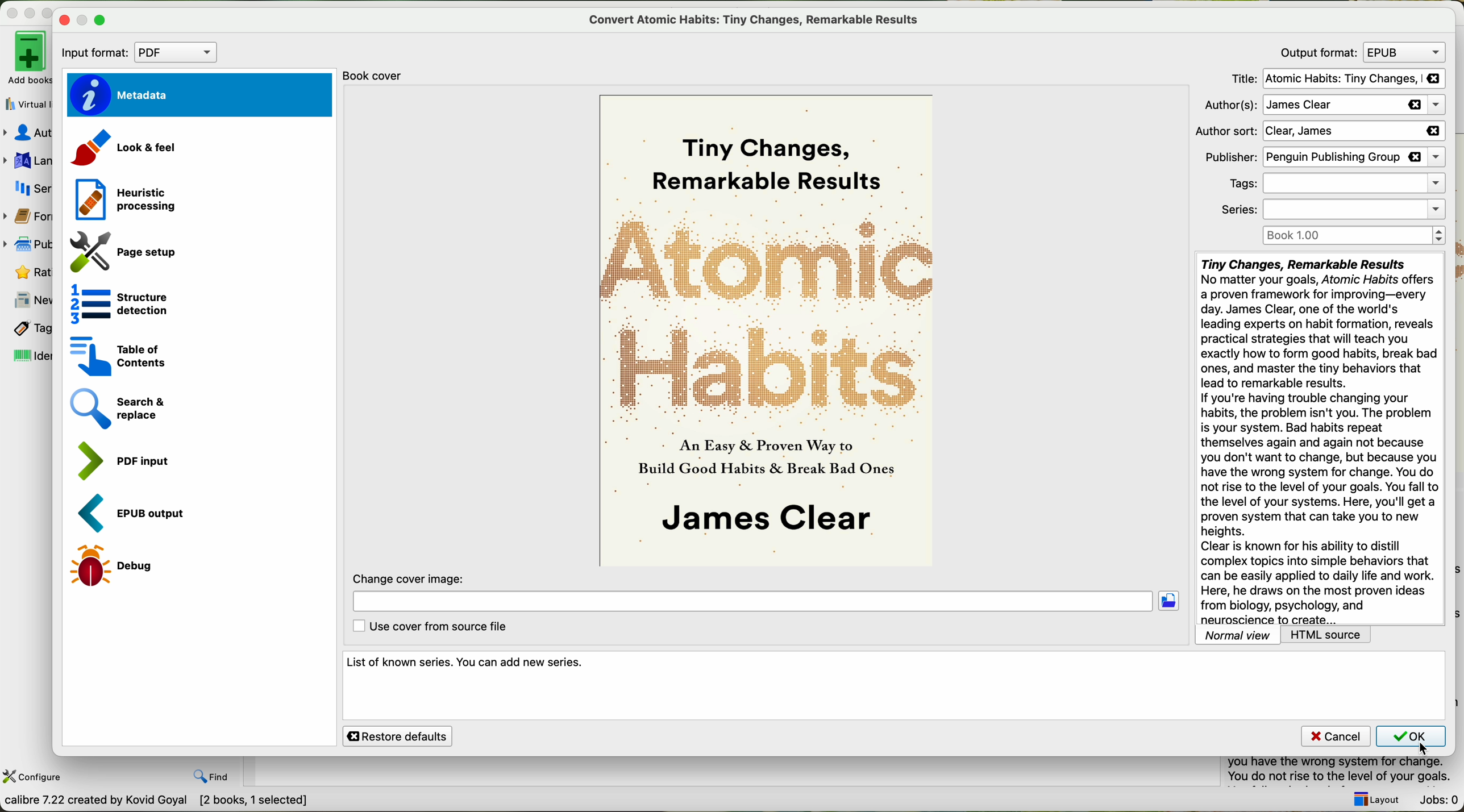 This screenshot has height=812, width=1464. I want to click on restore defaults, so click(397, 736).